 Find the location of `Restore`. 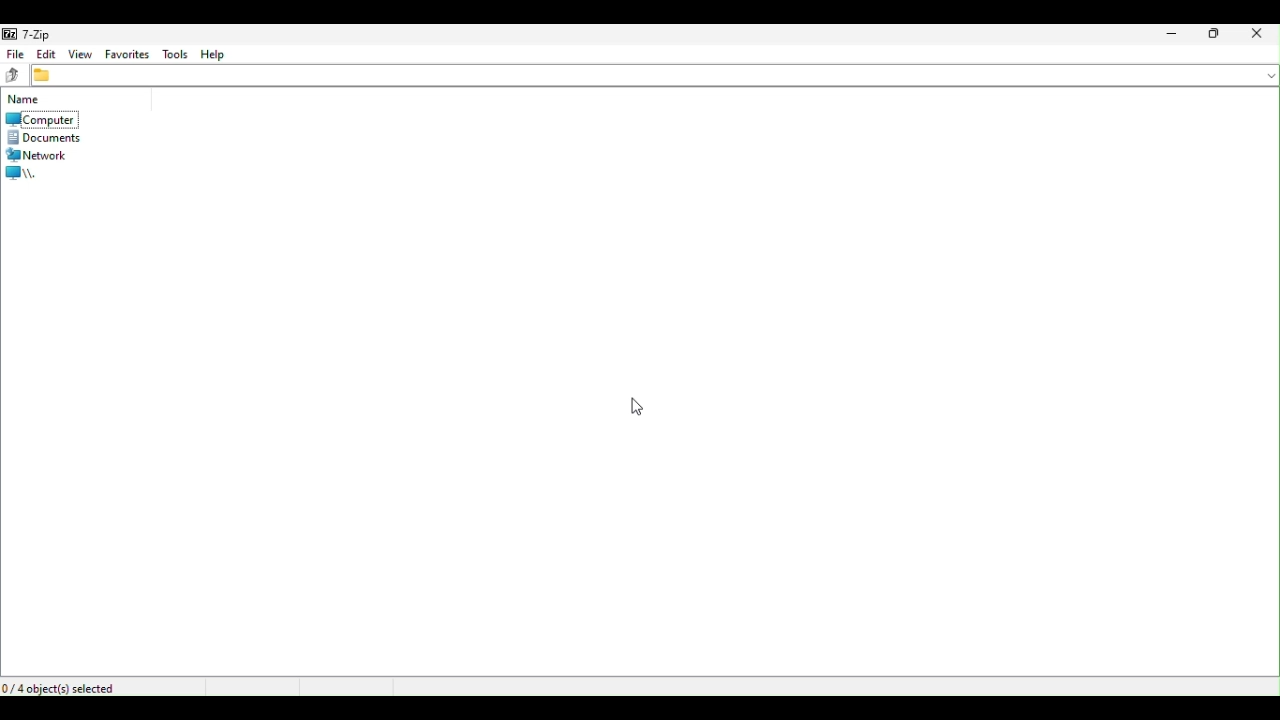

Restore is located at coordinates (1215, 35).